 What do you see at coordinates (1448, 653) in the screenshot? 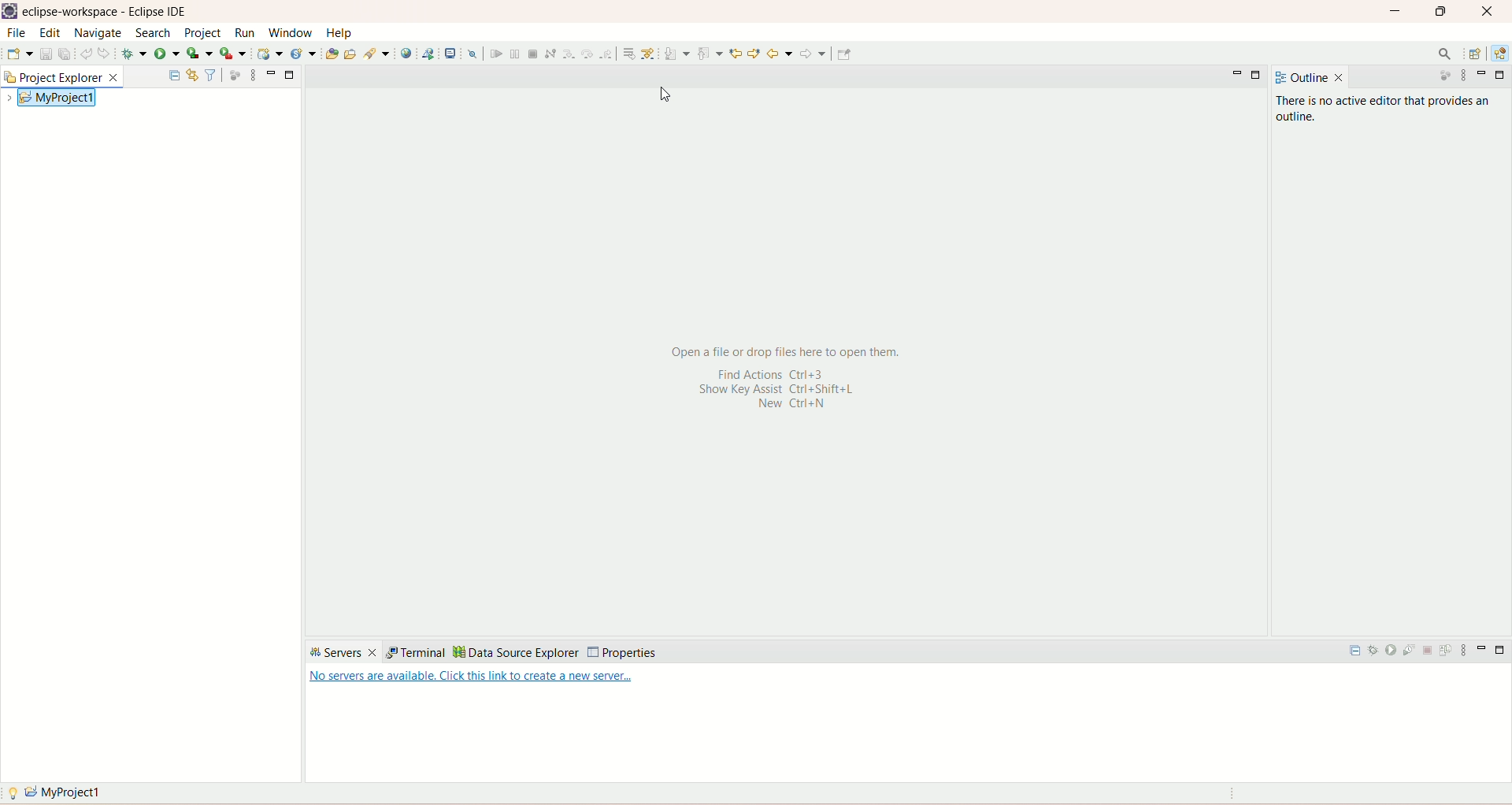
I see `publish to the server` at bounding box center [1448, 653].